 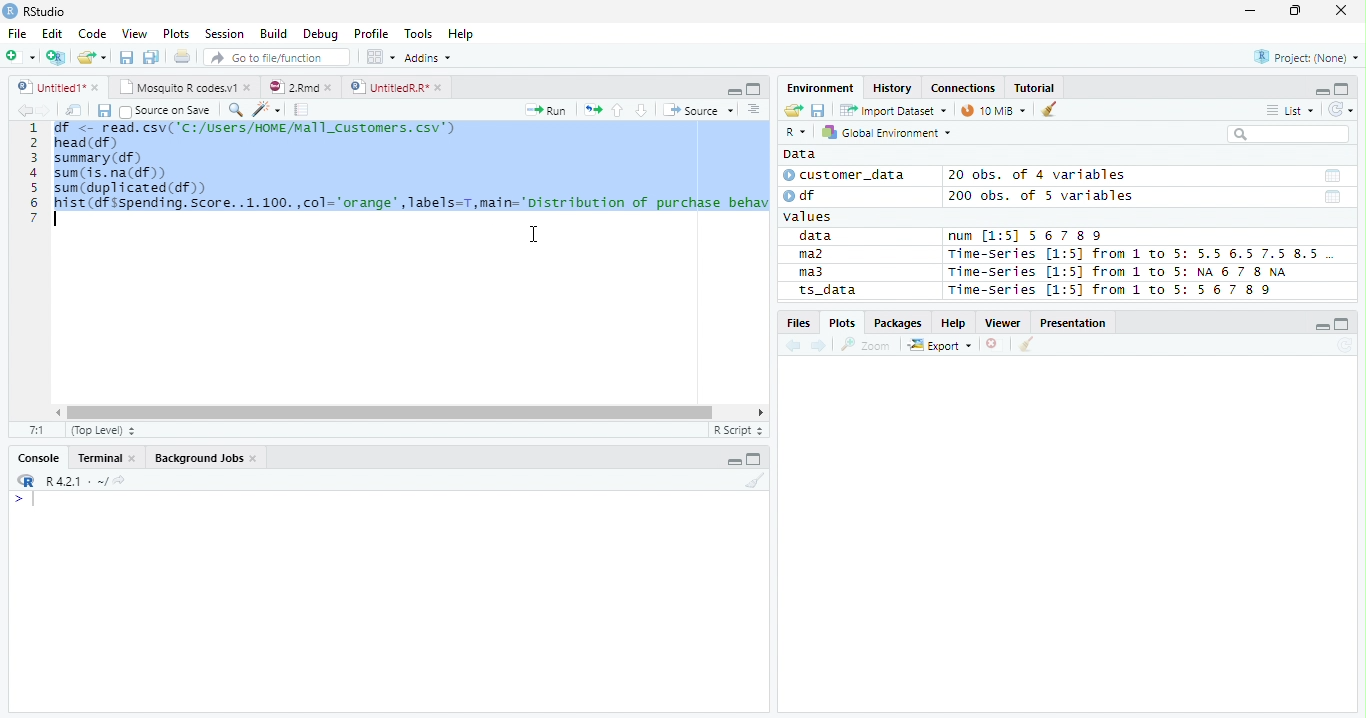 What do you see at coordinates (1051, 108) in the screenshot?
I see `Clean` at bounding box center [1051, 108].